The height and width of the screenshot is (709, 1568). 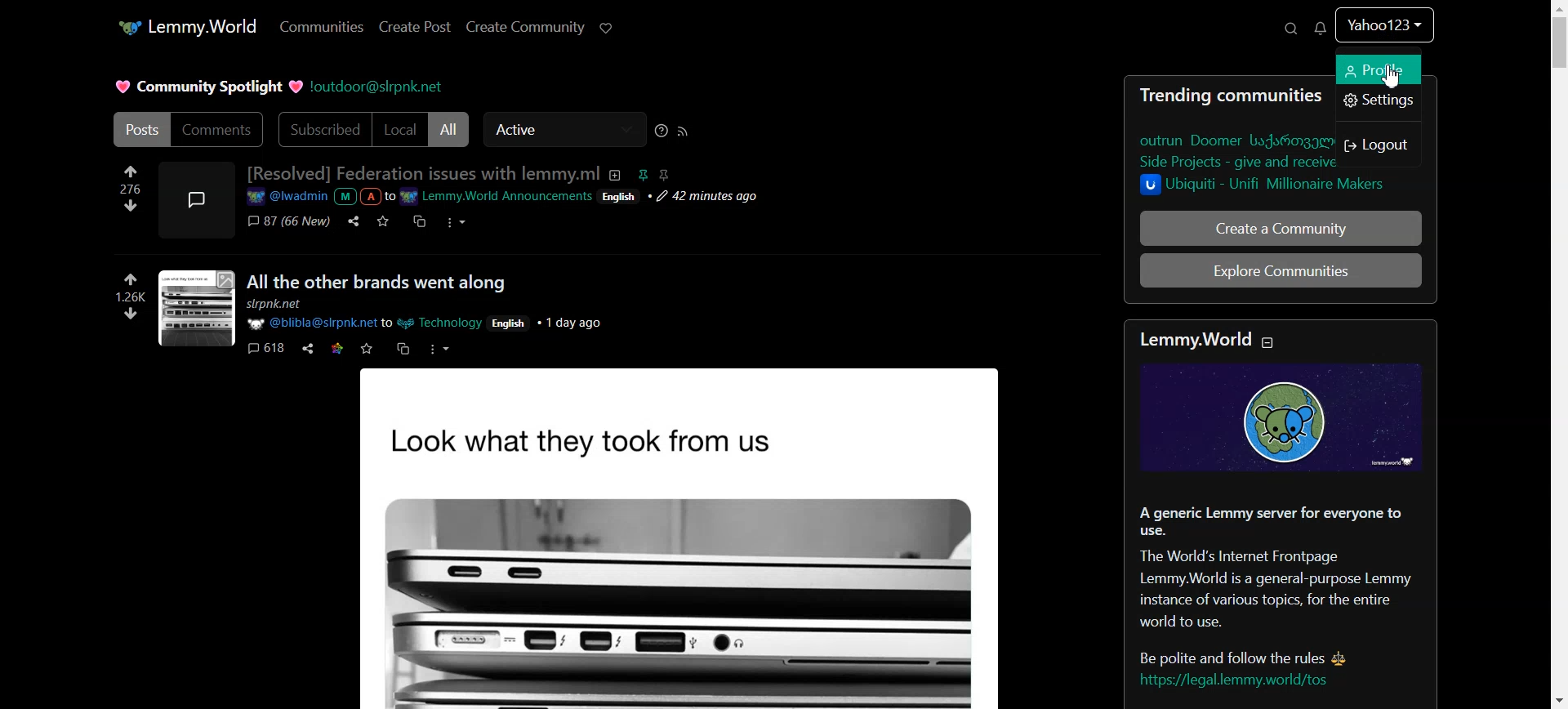 What do you see at coordinates (131, 315) in the screenshot?
I see `` at bounding box center [131, 315].